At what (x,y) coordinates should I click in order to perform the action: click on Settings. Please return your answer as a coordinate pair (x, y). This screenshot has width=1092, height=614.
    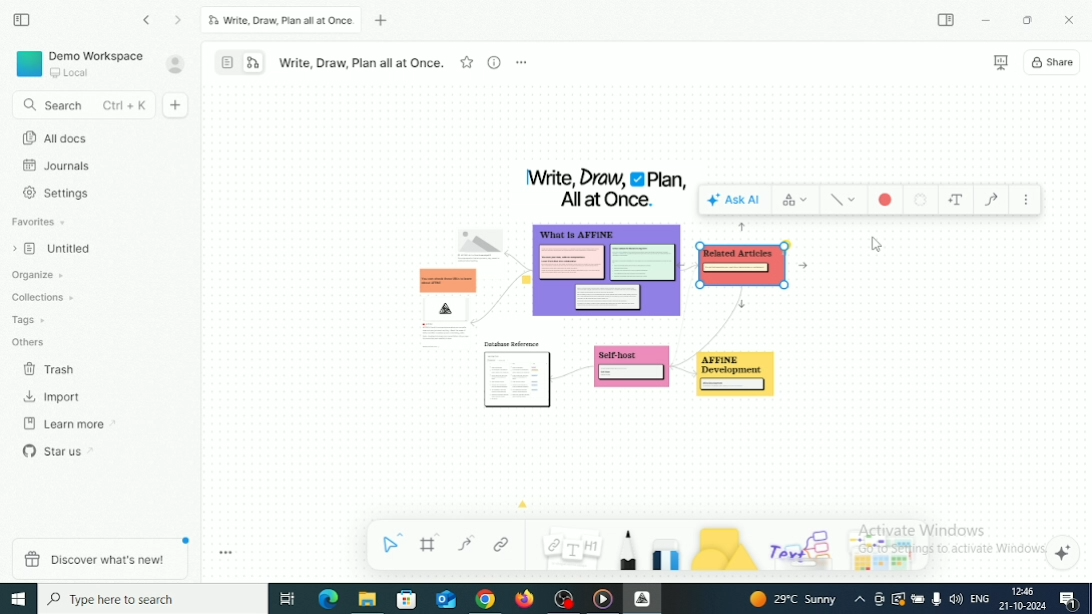
    Looking at the image, I should click on (59, 193).